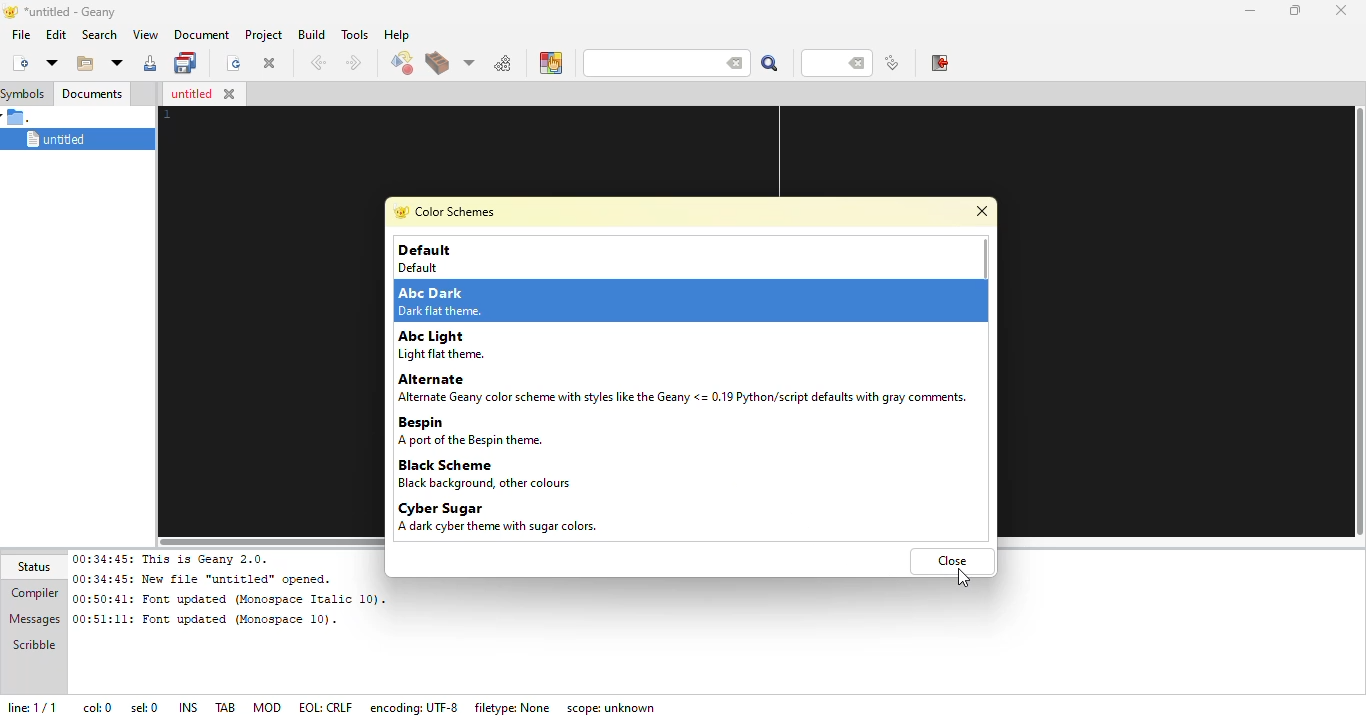 The image size is (1366, 720). Describe the element at coordinates (467, 62) in the screenshot. I see `choose more` at that location.